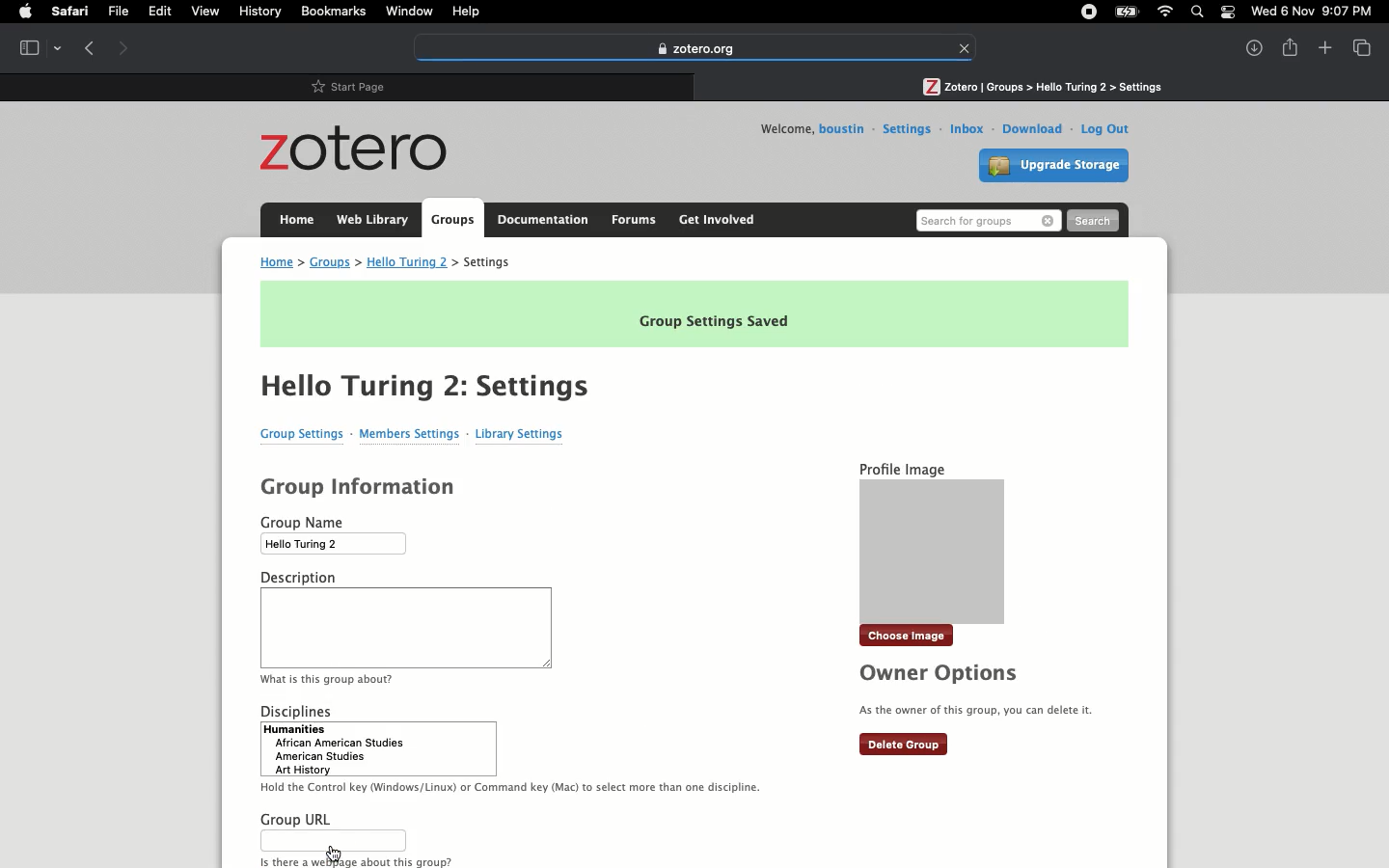 The image size is (1389, 868). What do you see at coordinates (1248, 46) in the screenshot?
I see `Downlaods` at bounding box center [1248, 46].